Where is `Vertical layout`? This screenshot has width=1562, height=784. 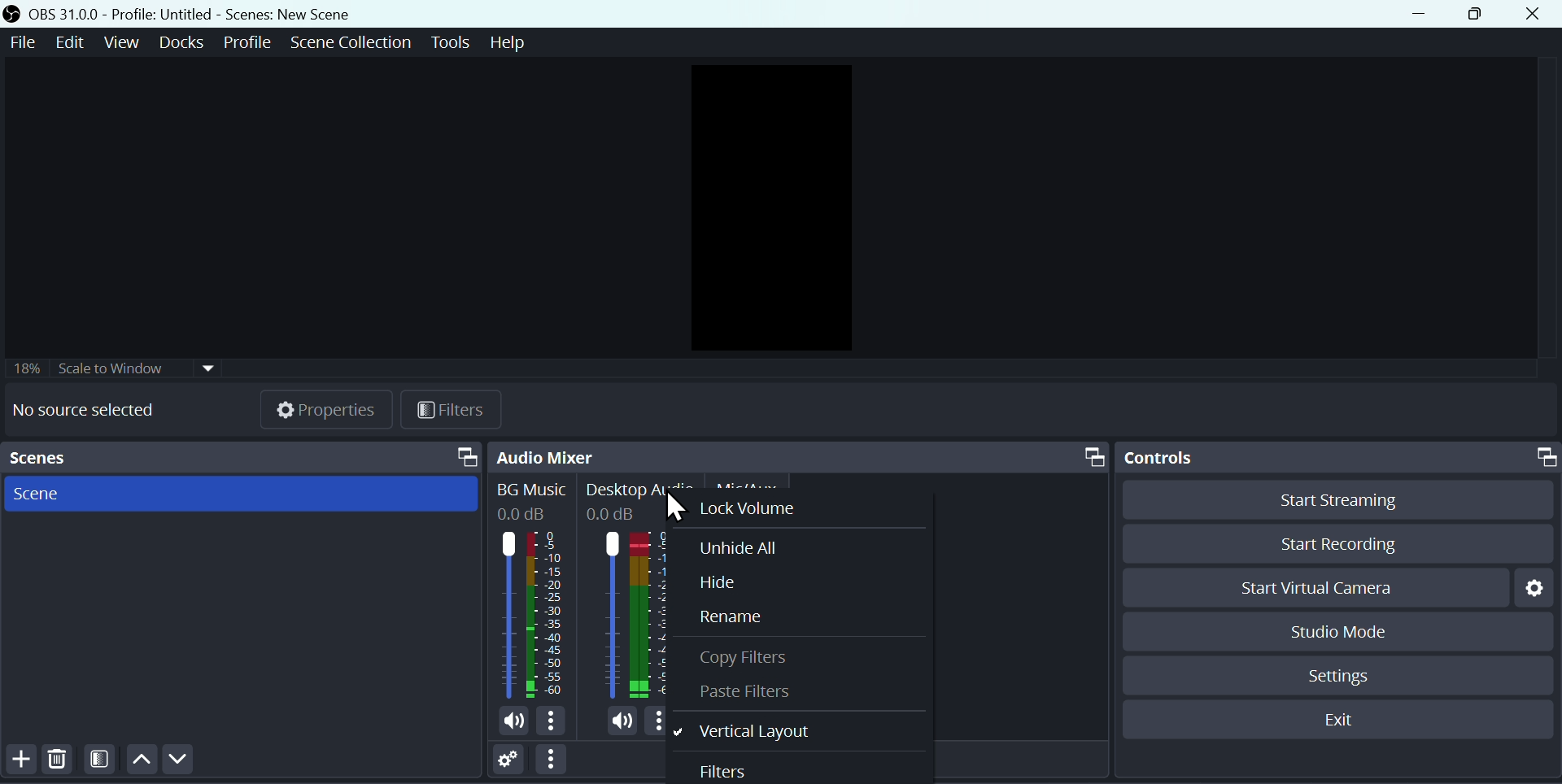 Vertical layout is located at coordinates (761, 731).